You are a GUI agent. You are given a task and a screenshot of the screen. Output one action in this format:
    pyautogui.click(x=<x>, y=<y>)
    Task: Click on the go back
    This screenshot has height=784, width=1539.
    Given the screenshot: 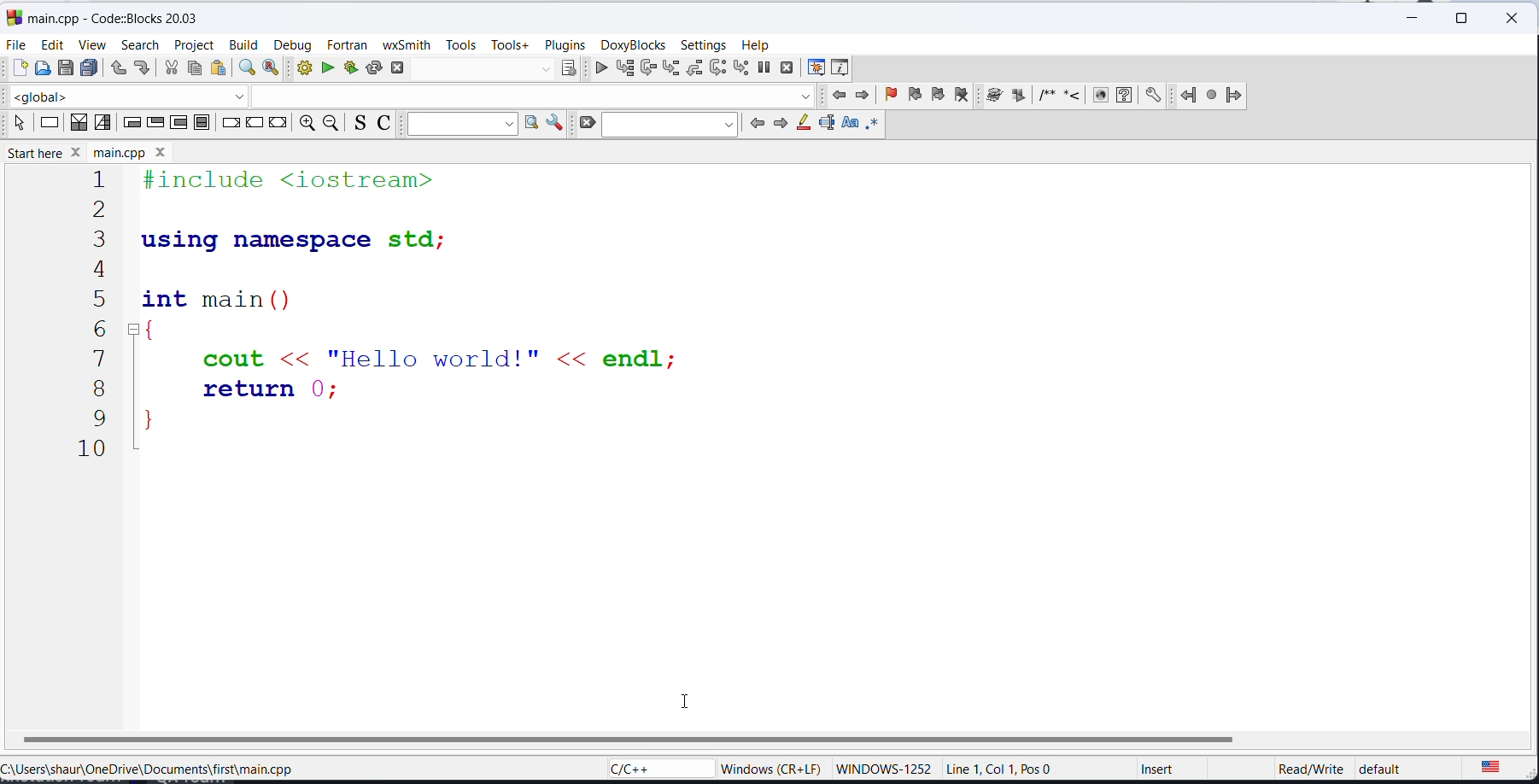 What is the action you would take?
    pyautogui.click(x=755, y=126)
    